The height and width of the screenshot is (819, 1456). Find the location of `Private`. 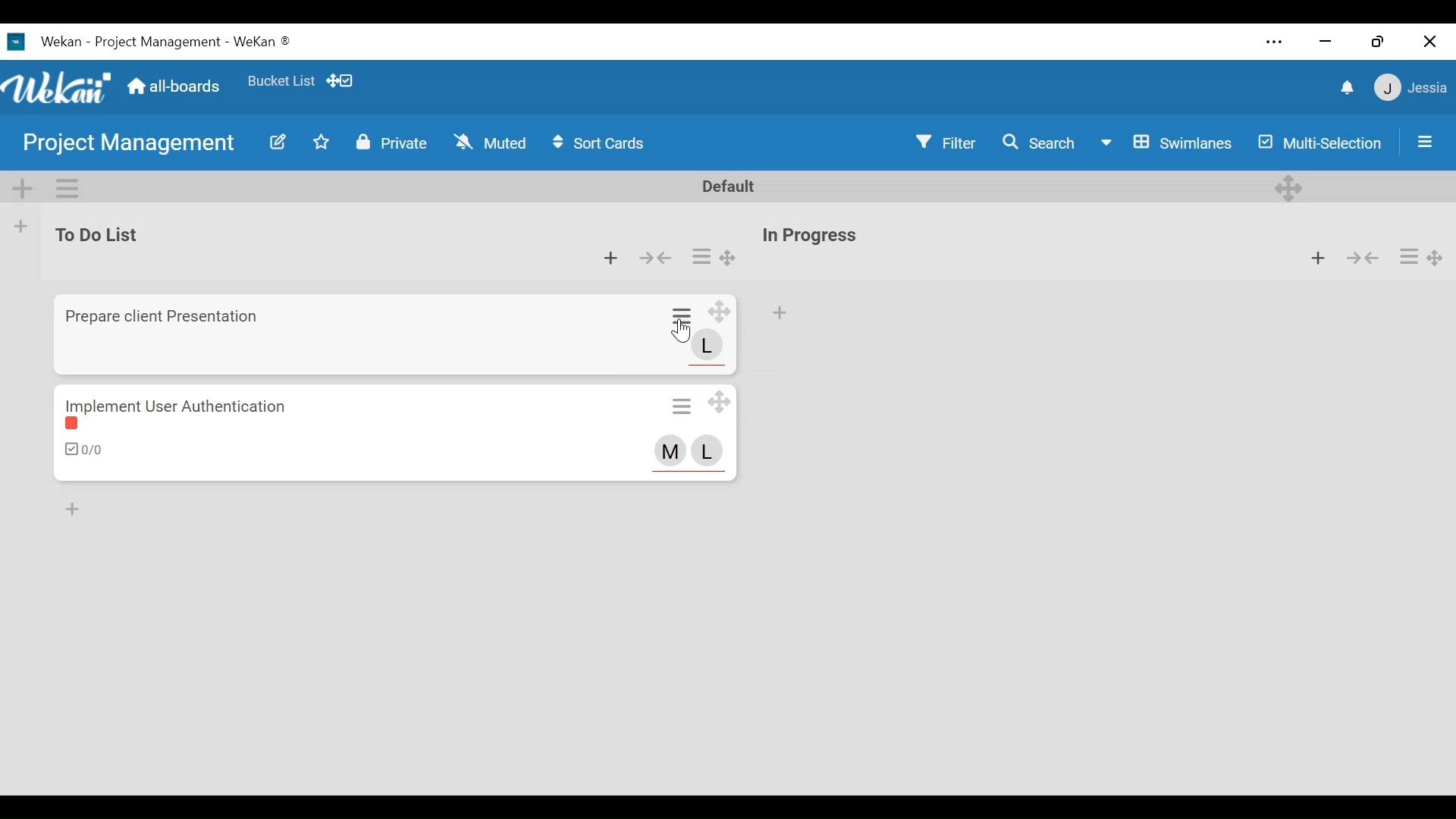

Private is located at coordinates (394, 142).